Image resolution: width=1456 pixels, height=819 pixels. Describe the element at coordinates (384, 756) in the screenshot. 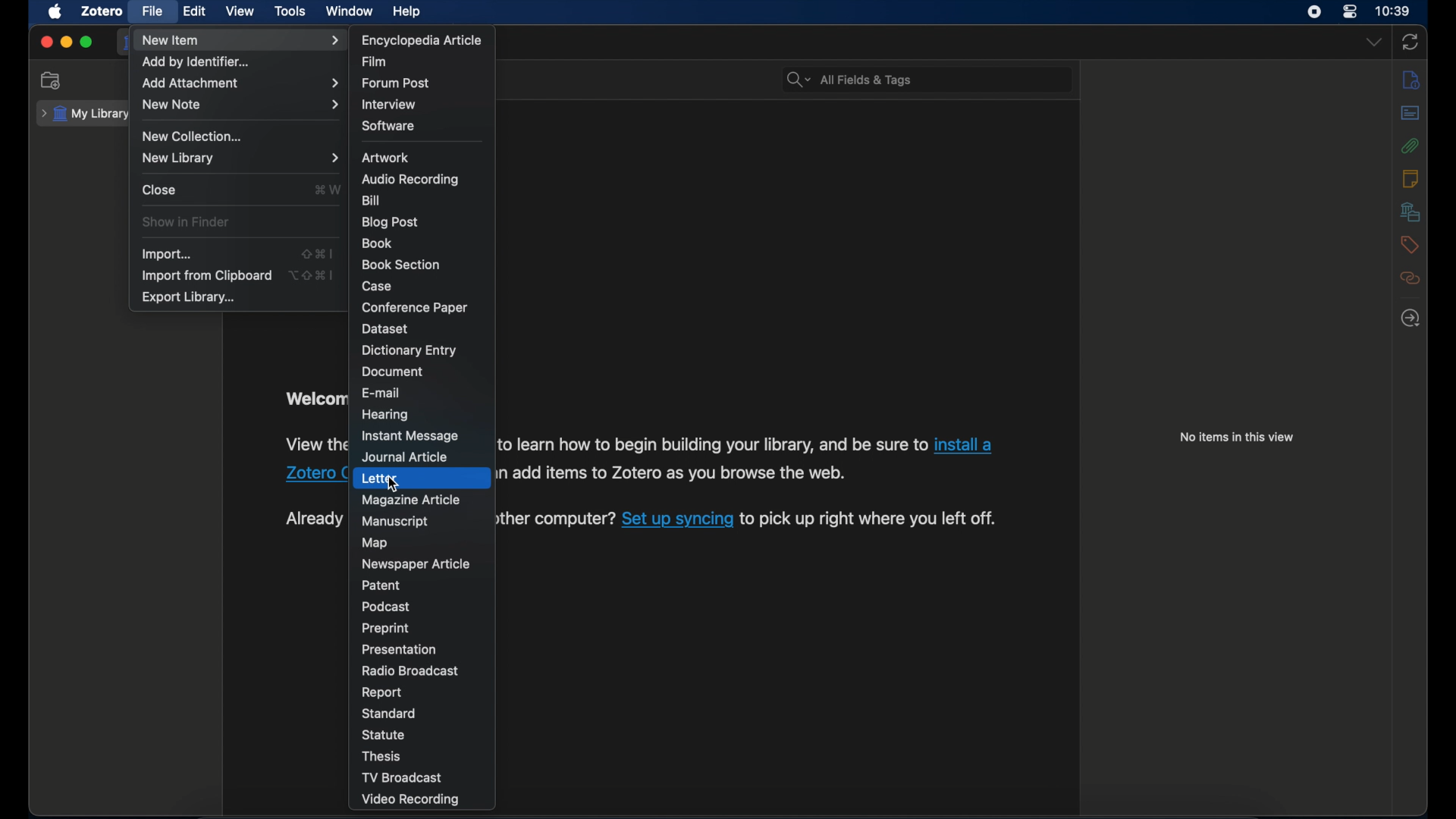

I see `thesis` at that location.